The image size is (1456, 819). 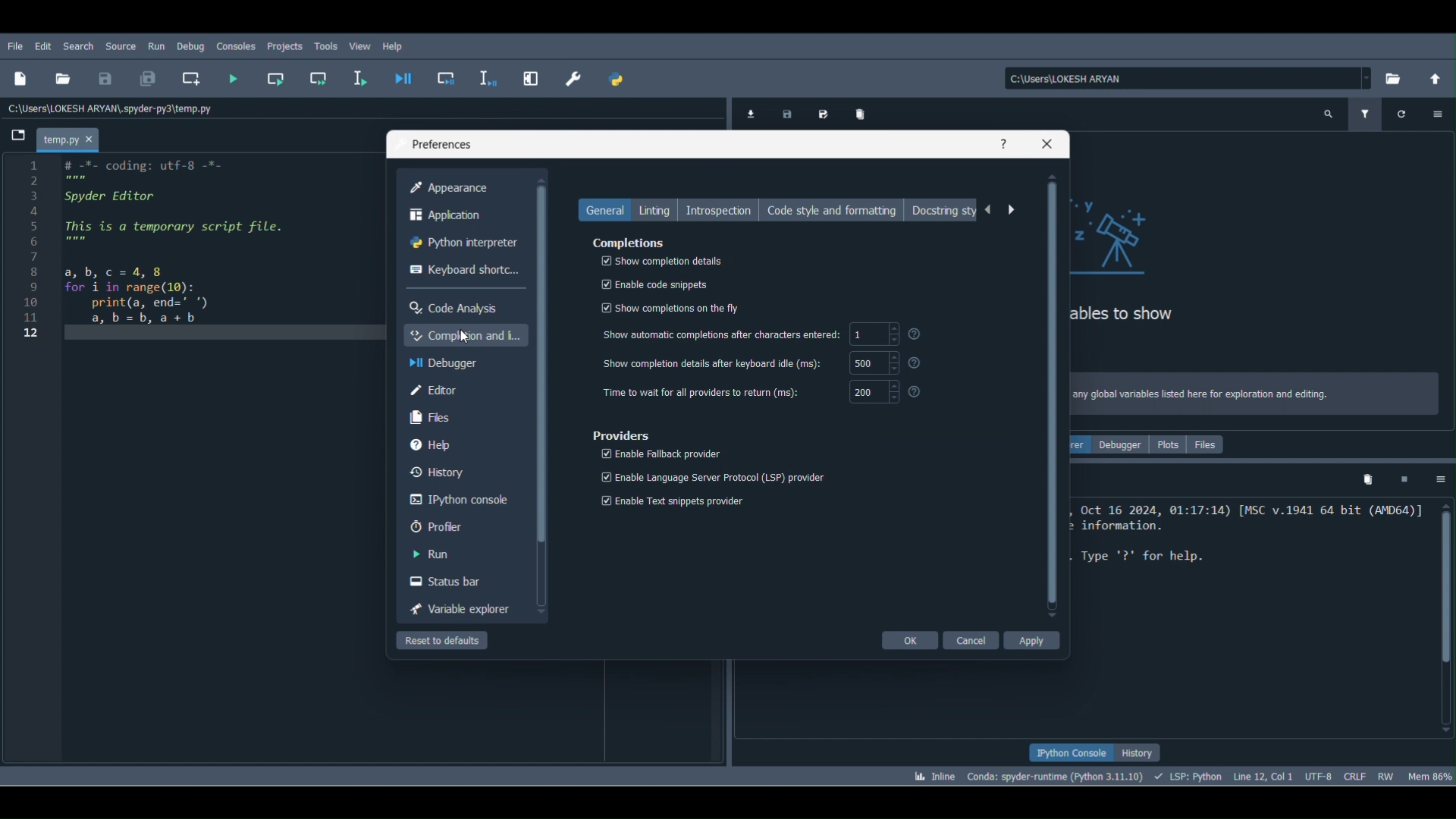 I want to click on Keyboard shortcuts, so click(x=460, y=271).